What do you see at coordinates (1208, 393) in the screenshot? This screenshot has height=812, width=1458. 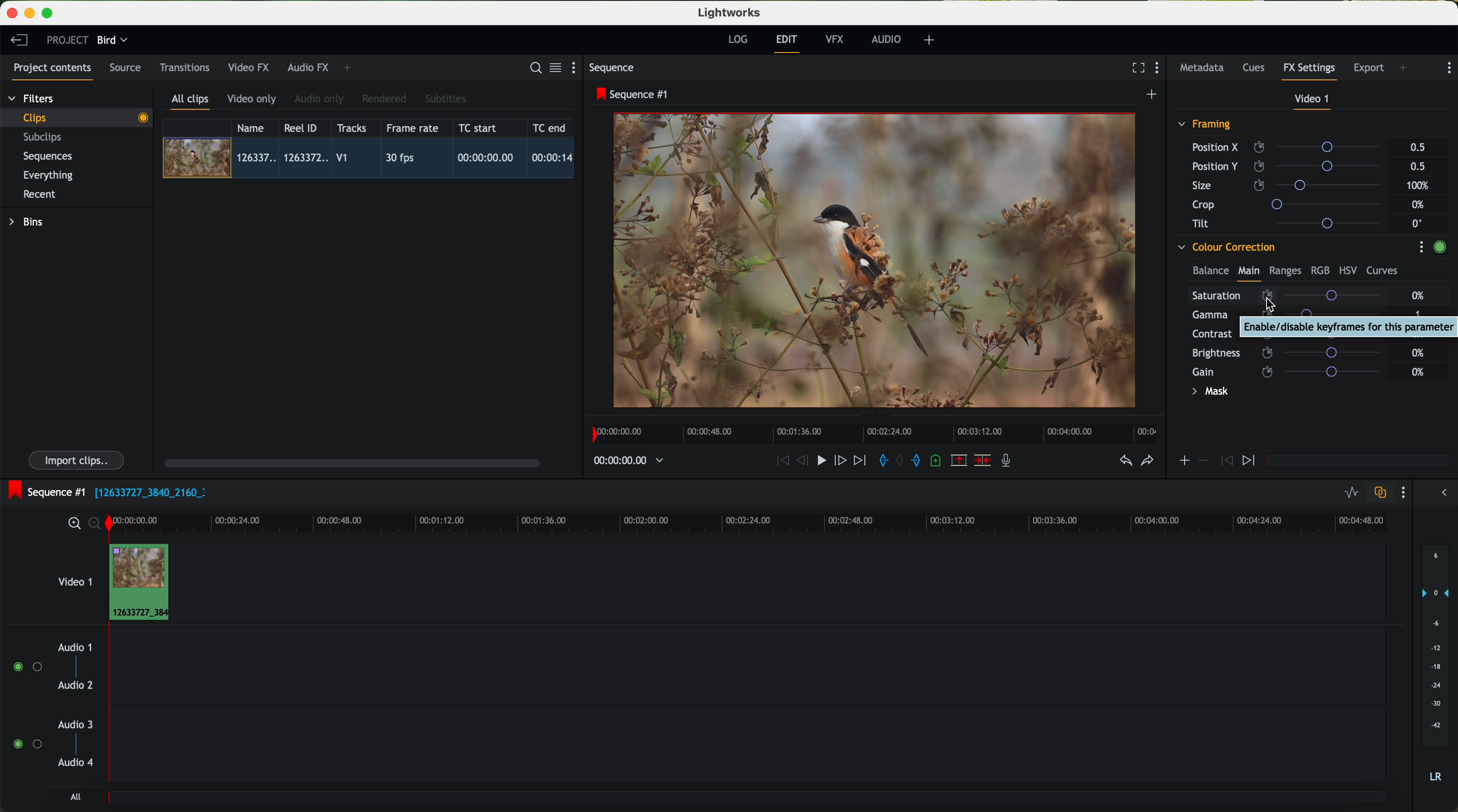 I see `mask` at bounding box center [1208, 393].